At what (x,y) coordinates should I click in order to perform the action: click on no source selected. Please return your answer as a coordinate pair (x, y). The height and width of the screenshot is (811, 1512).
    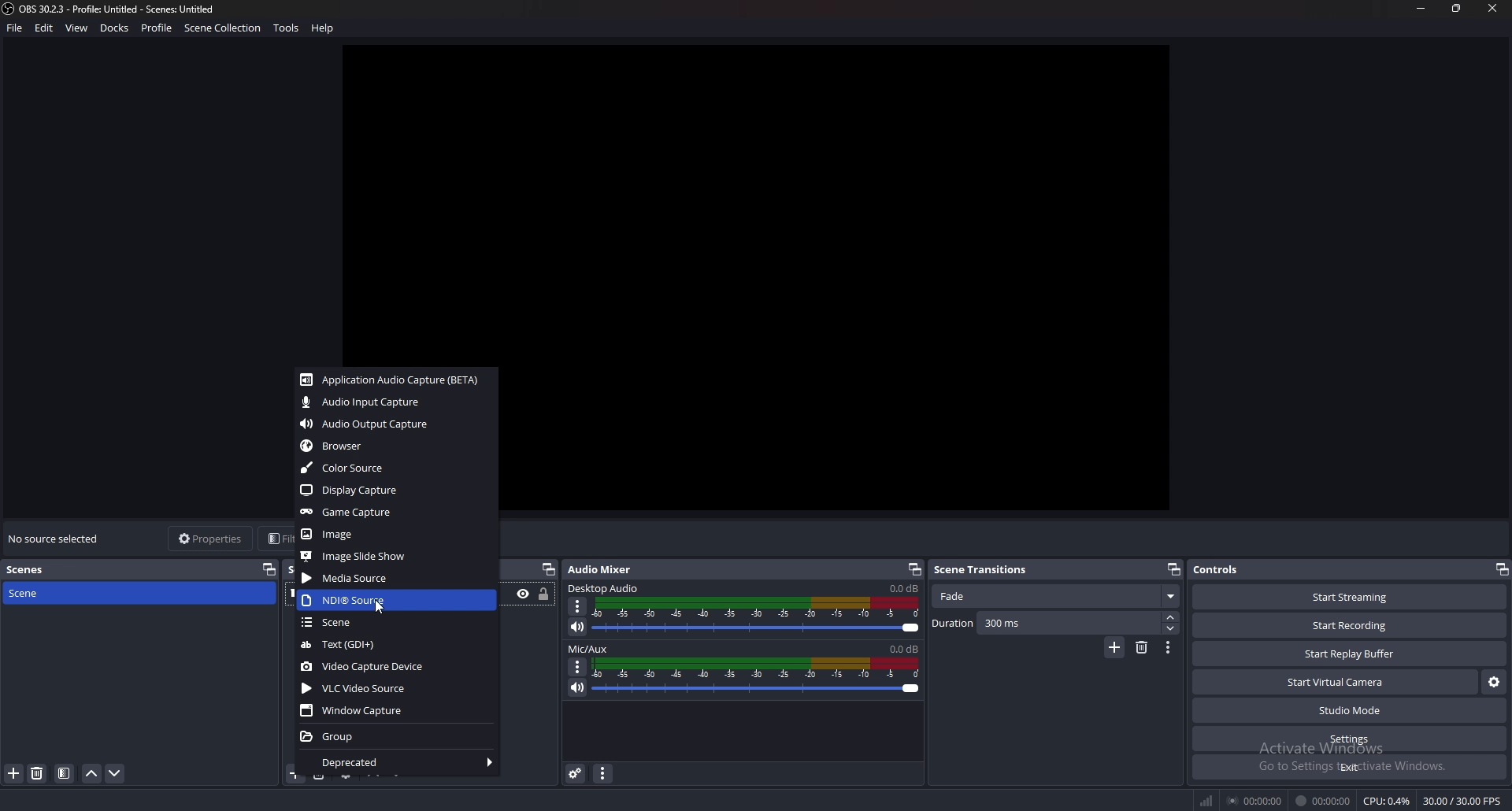
    Looking at the image, I should click on (56, 538).